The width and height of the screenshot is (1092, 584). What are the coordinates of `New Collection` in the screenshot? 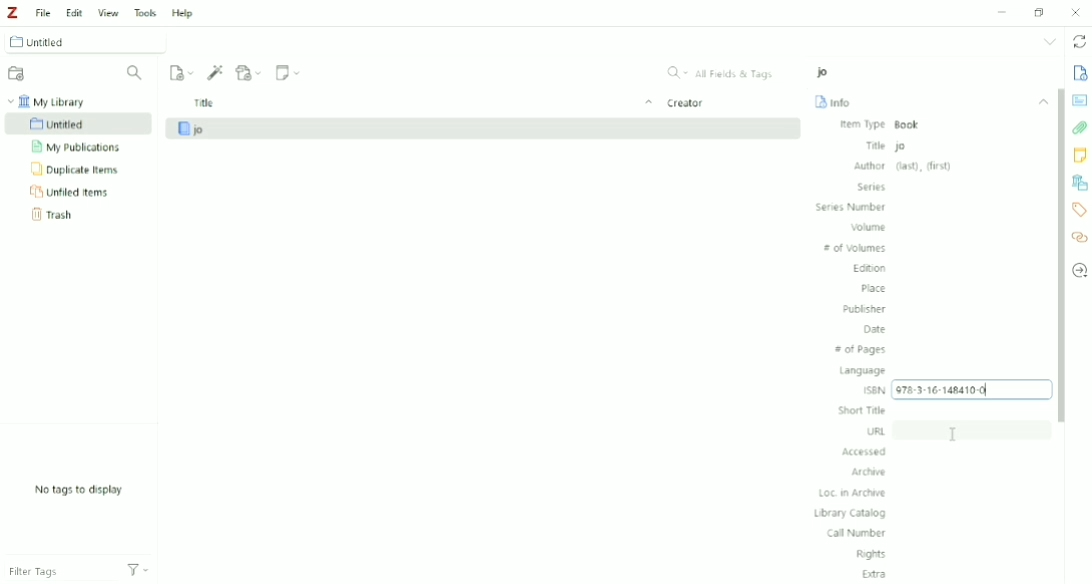 It's located at (18, 73).